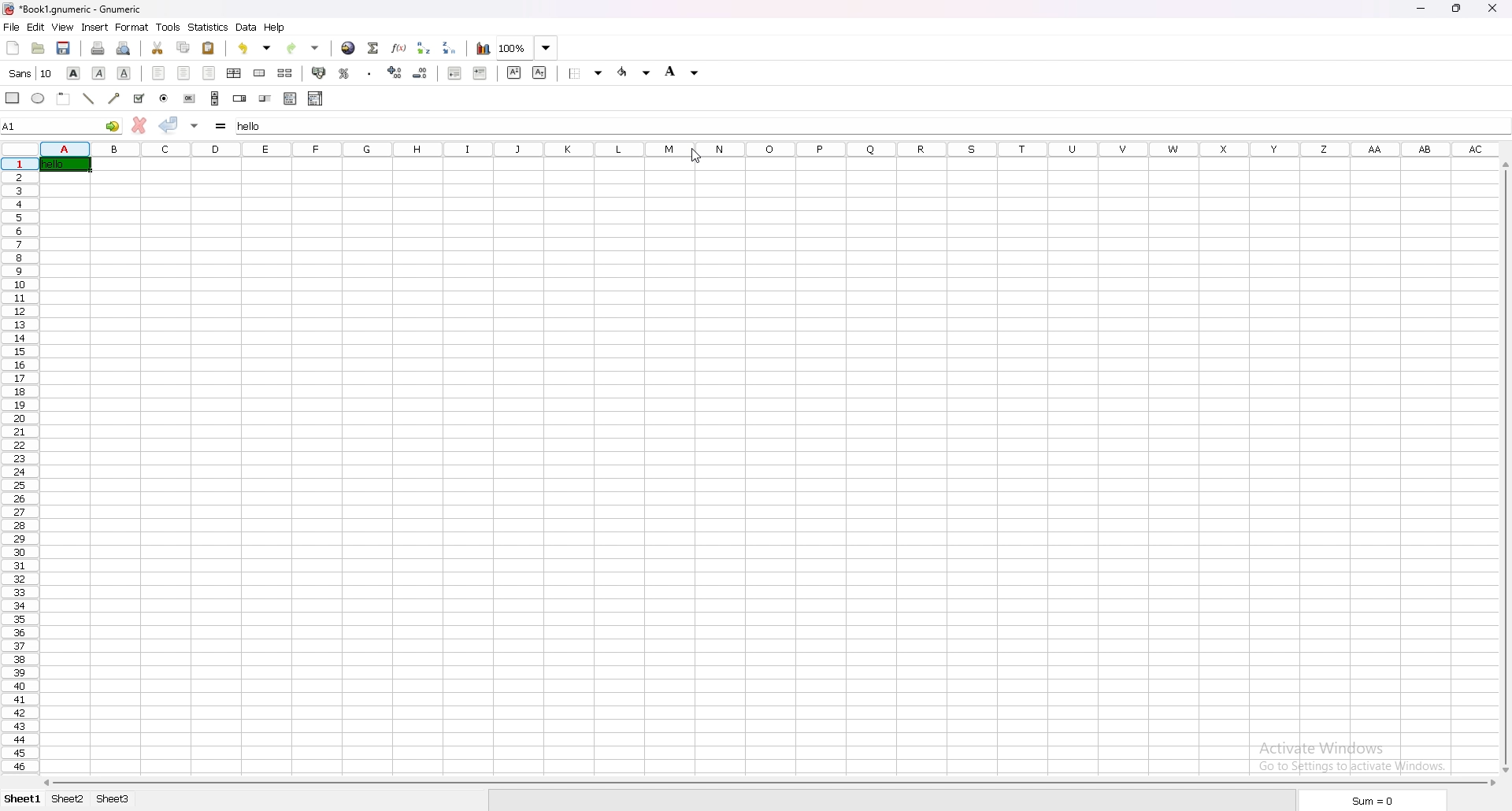 Image resolution: width=1512 pixels, height=811 pixels. What do you see at coordinates (141, 124) in the screenshot?
I see `cancel change` at bounding box center [141, 124].